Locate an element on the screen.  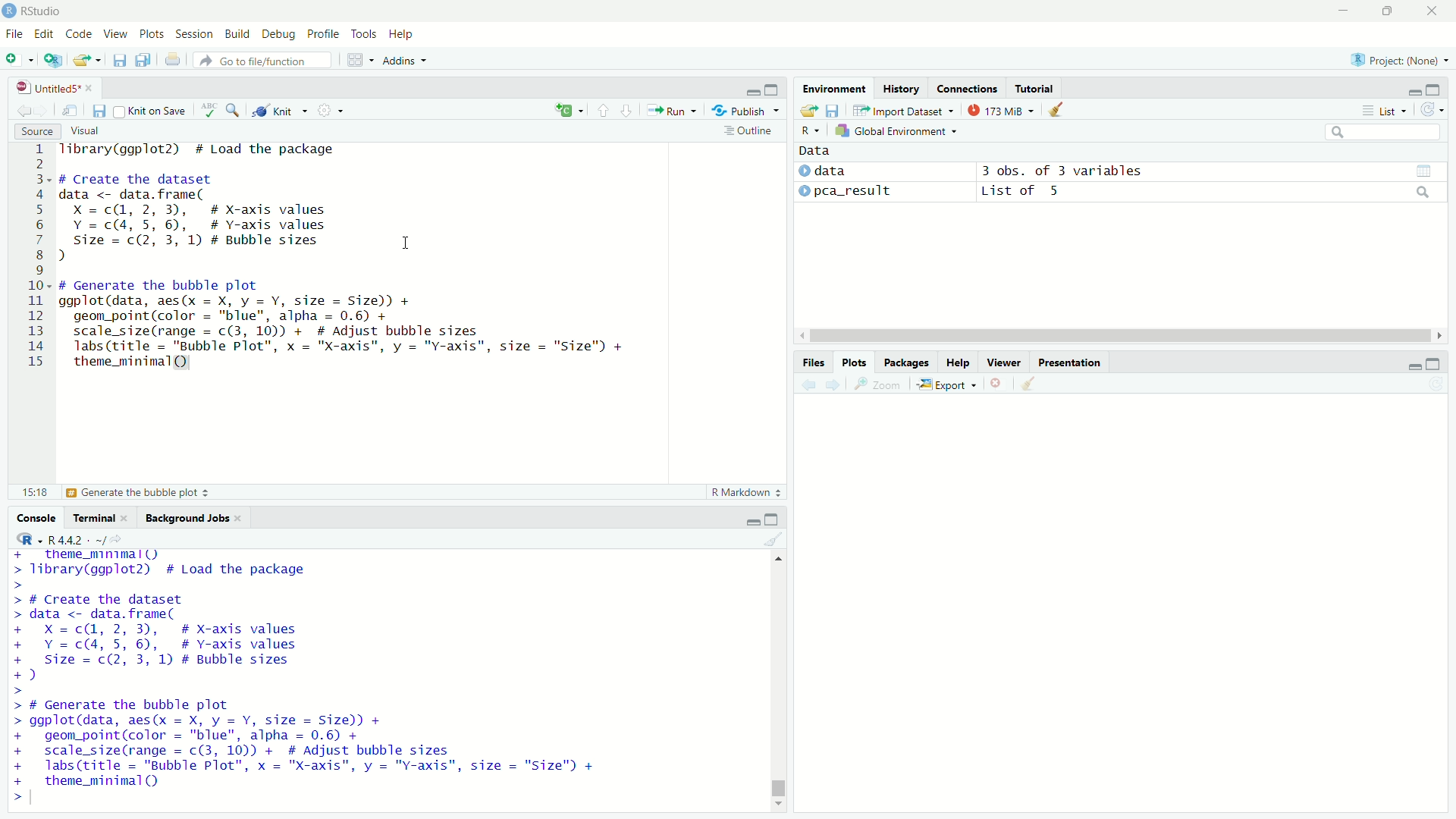
go back is located at coordinates (24, 109).